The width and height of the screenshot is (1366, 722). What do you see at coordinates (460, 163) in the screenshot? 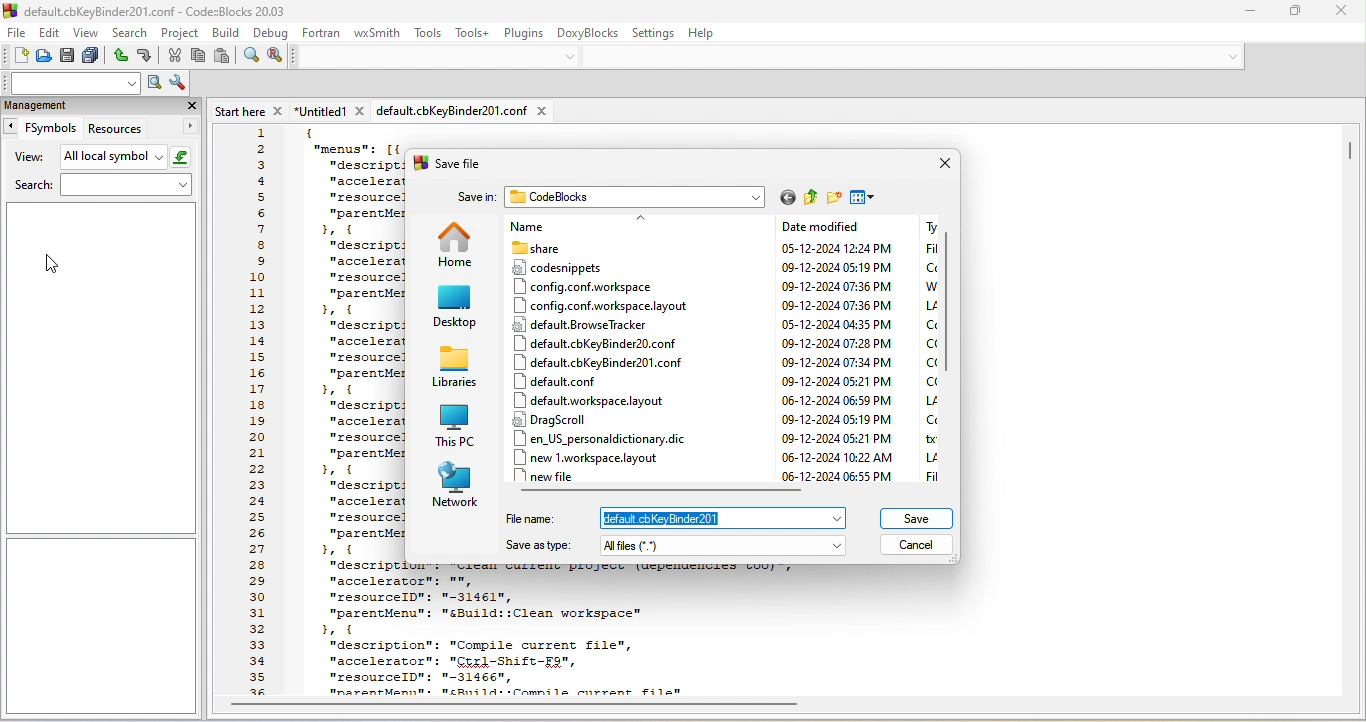
I see `Save File` at bounding box center [460, 163].